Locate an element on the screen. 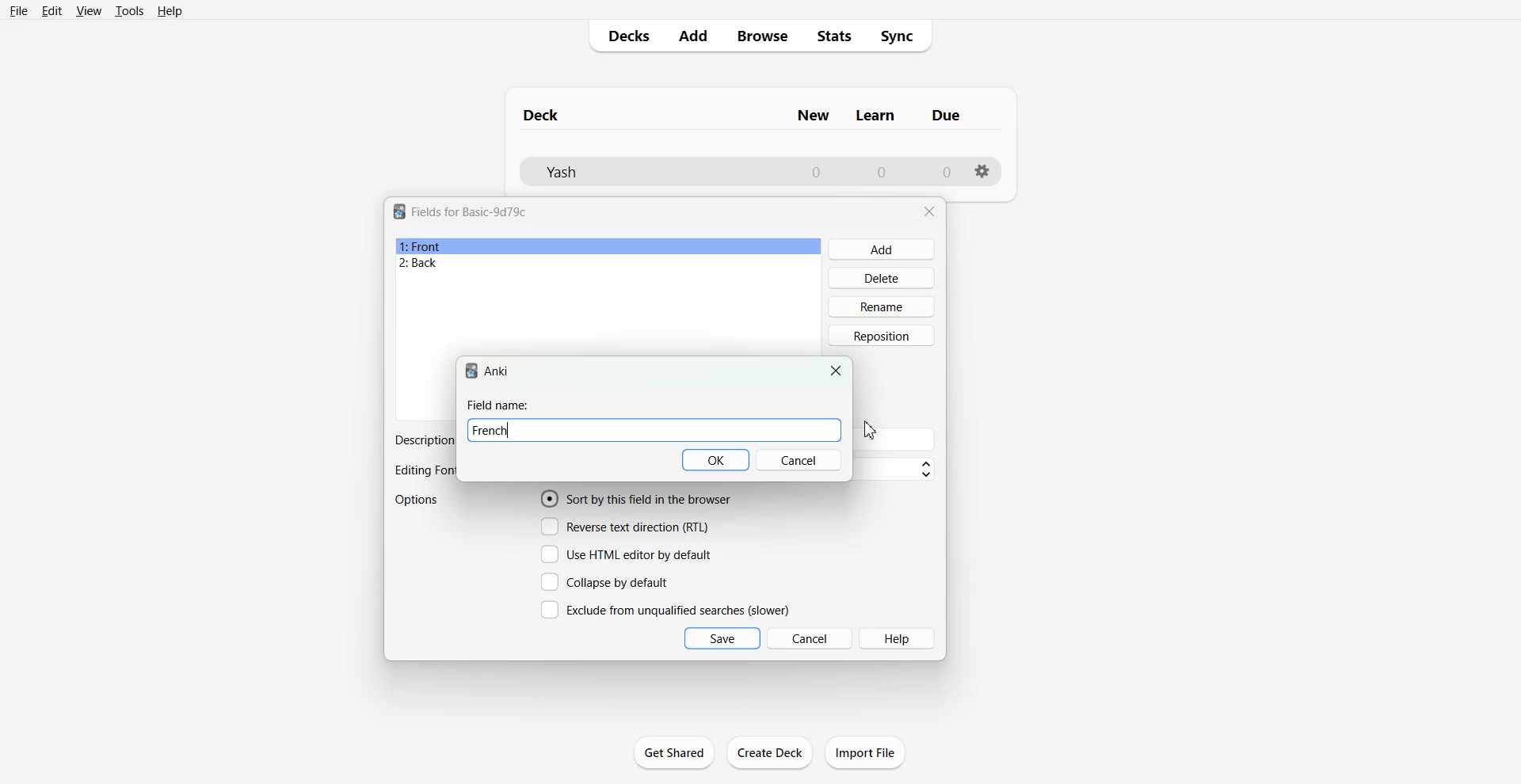 Image resolution: width=1521 pixels, height=784 pixels. Add is located at coordinates (692, 36).